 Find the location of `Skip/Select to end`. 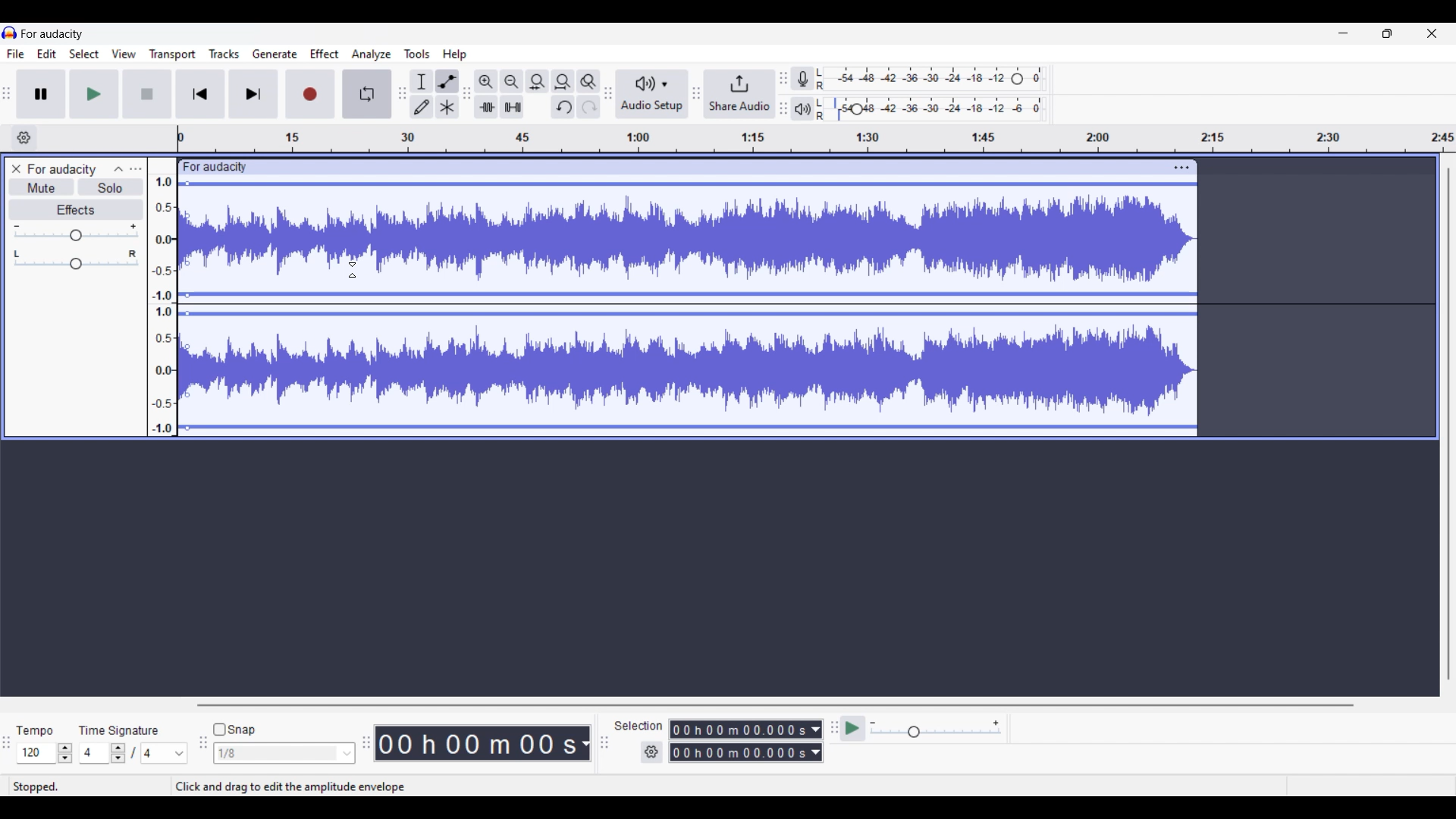

Skip/Select to end is located at coordinates (254, 94).